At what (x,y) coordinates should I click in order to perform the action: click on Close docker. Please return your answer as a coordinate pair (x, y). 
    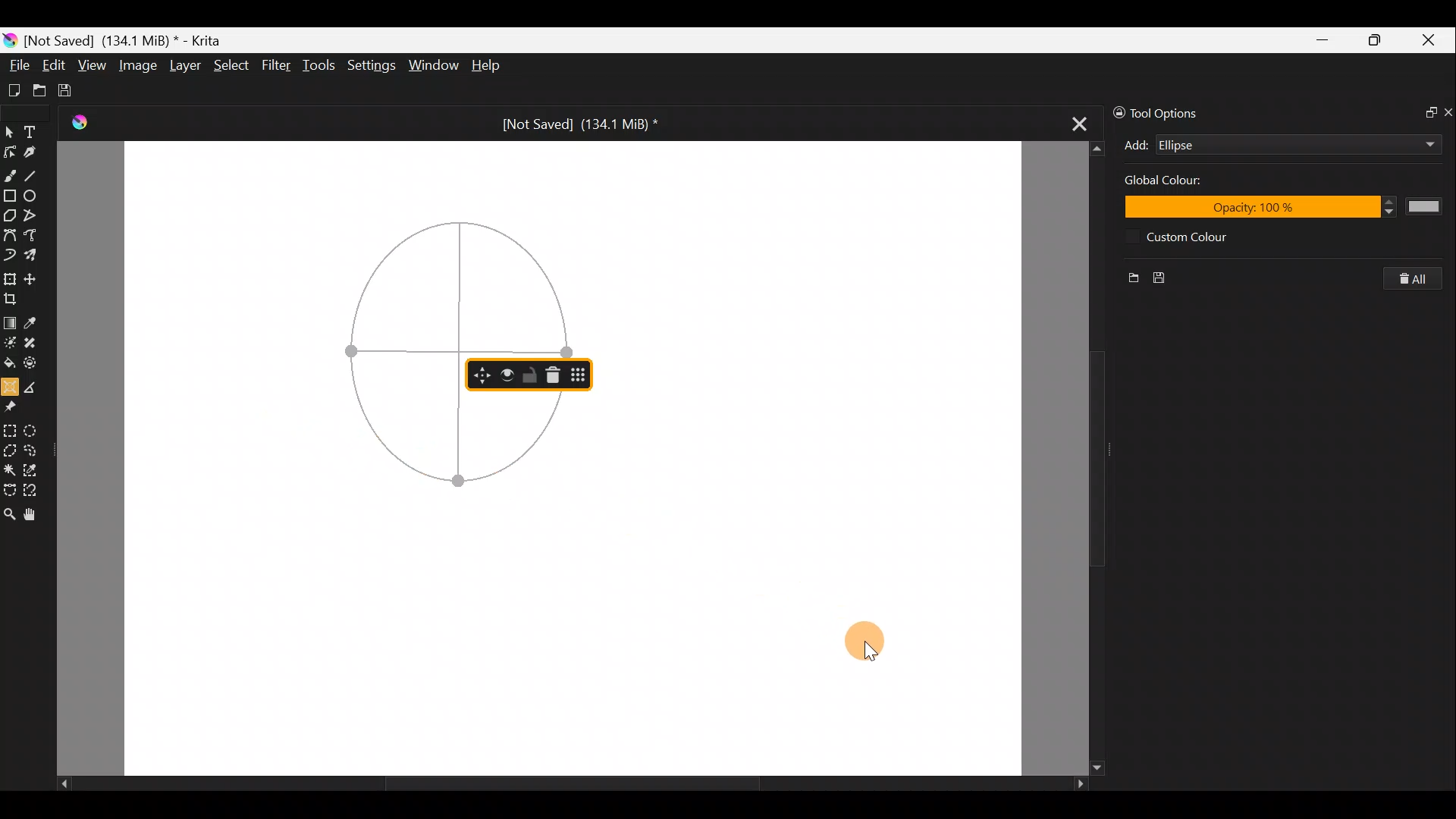
    Looking at the image, I should click on (1447, 111).